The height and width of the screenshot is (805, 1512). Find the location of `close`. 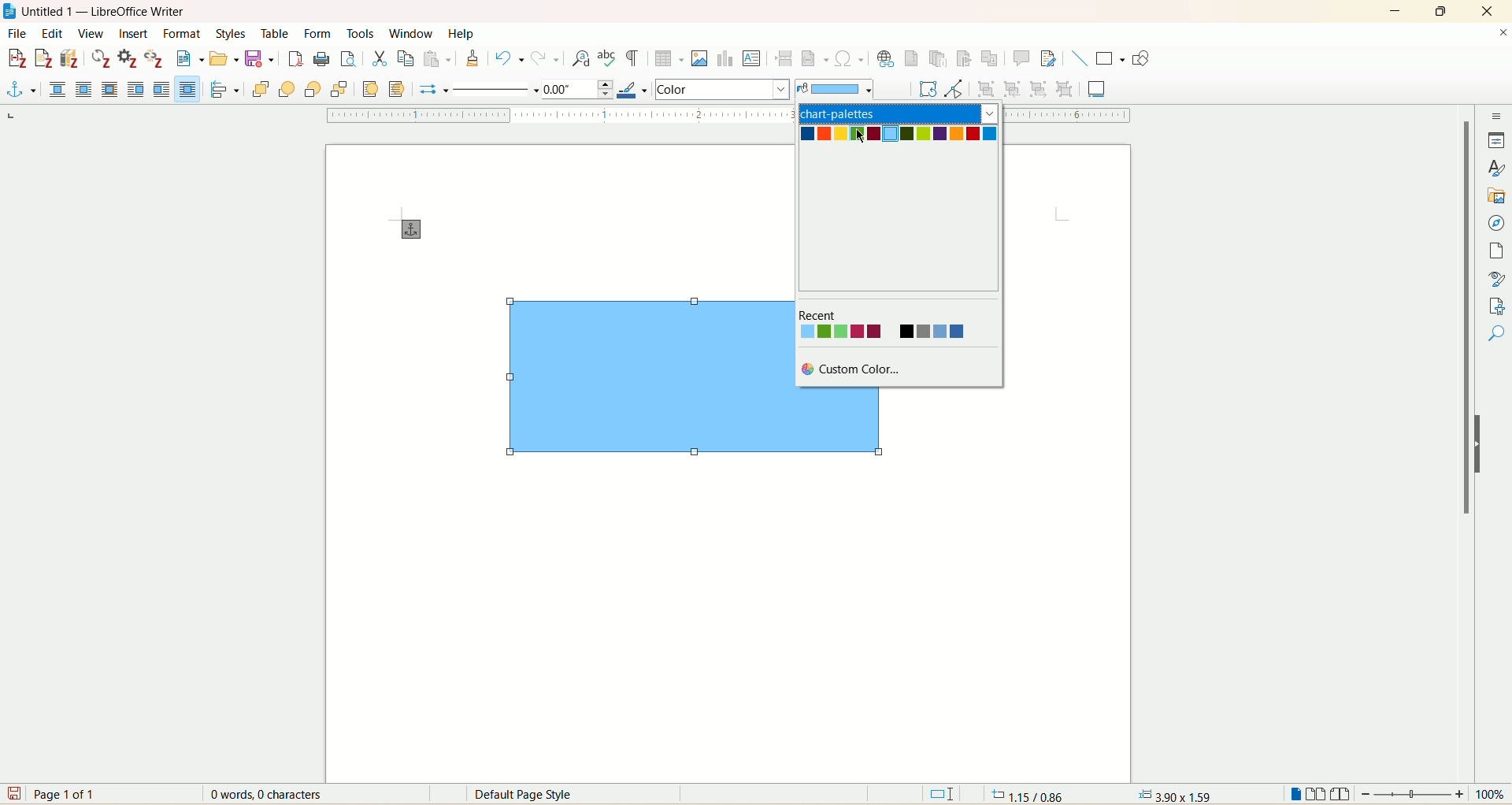

close is located at coordinates (1487, 10).